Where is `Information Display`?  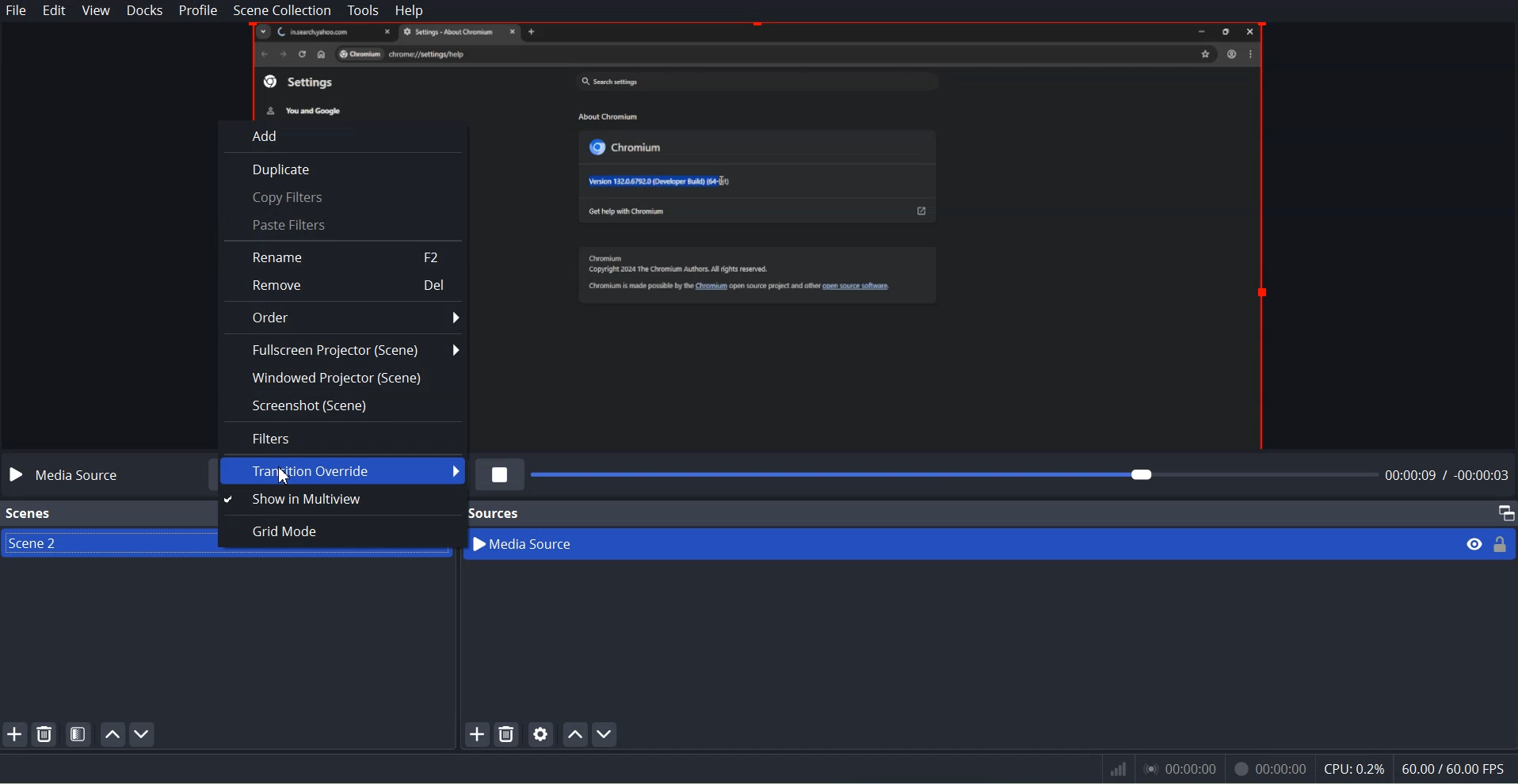 Information Display is located at coordinates (1299, 770).